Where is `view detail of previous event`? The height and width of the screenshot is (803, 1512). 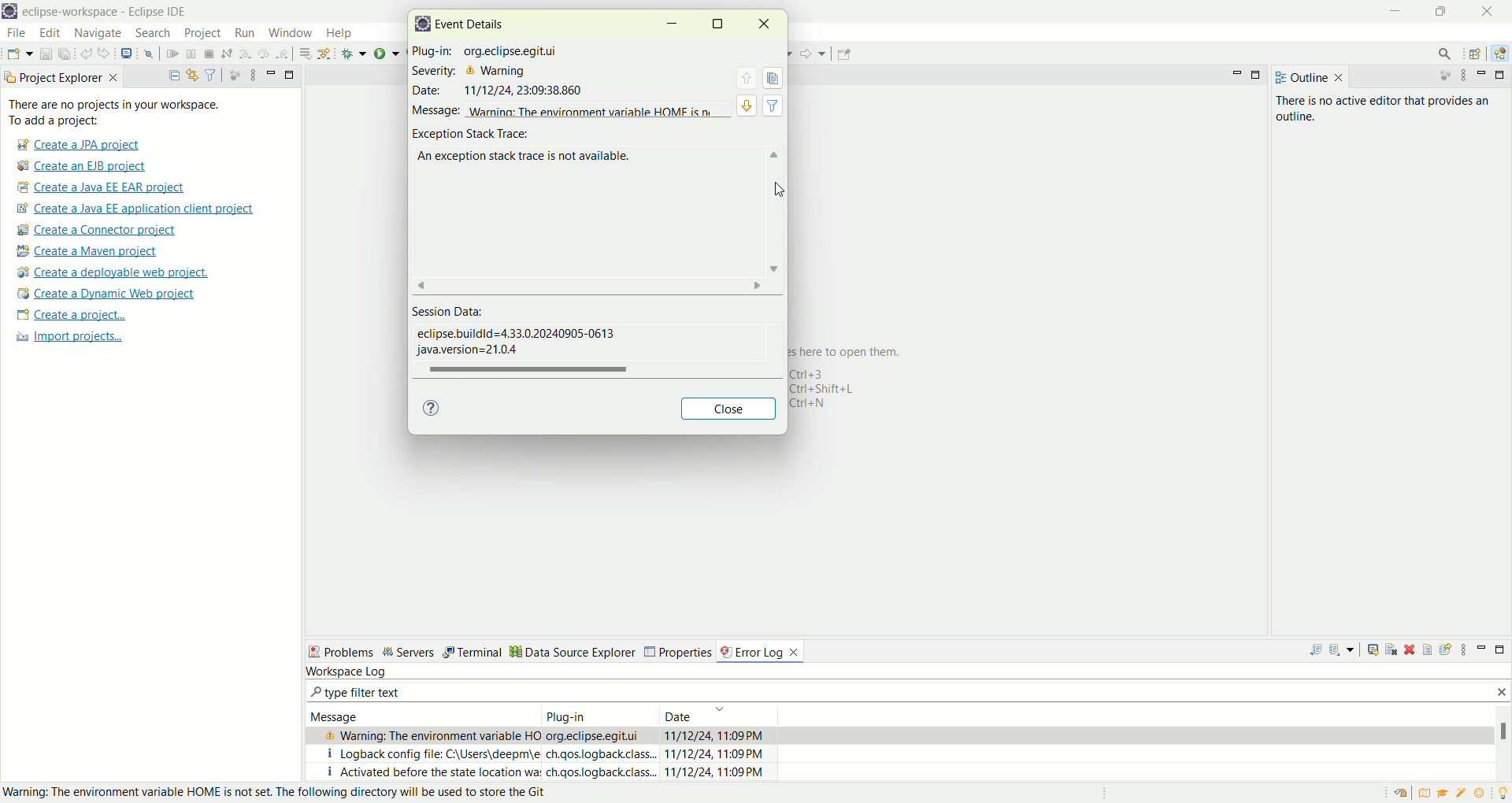
view detail of previous event is located at coordinates (747, 80).